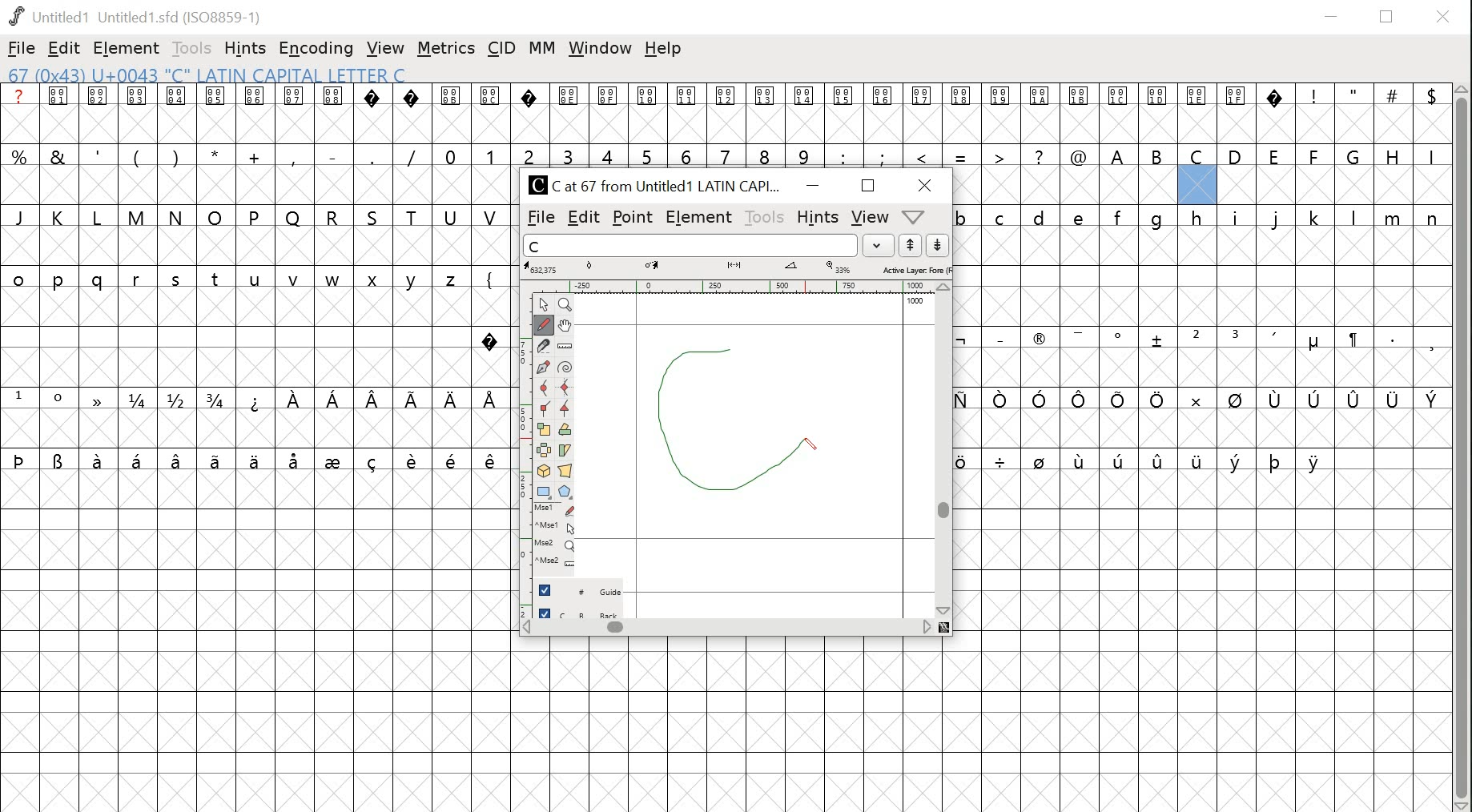  I want to click on scrollbar, so click(944, 451).